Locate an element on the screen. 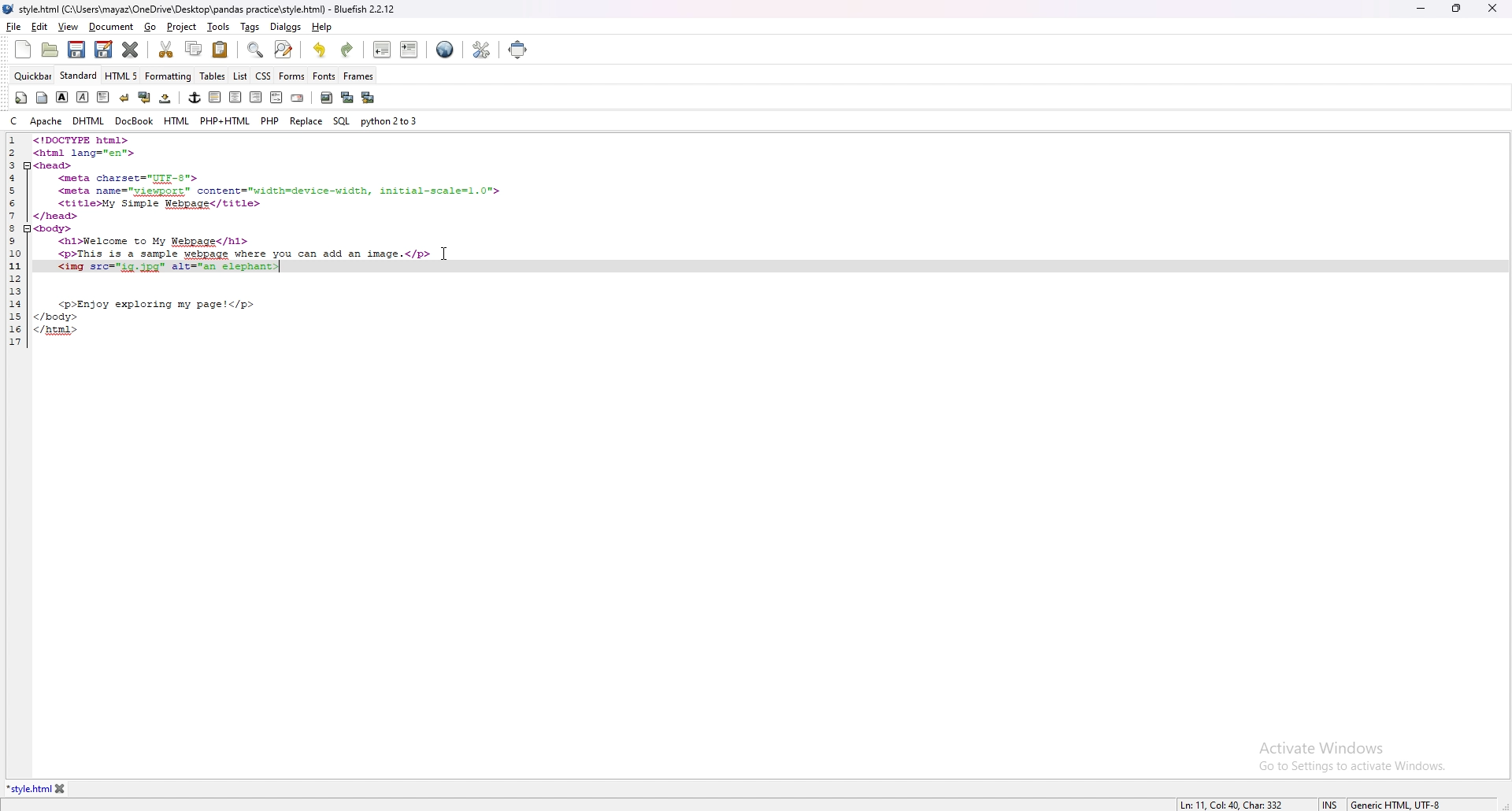 The height and width of the screenshot is (811, 1512). css is located at coordinates (263, 75).